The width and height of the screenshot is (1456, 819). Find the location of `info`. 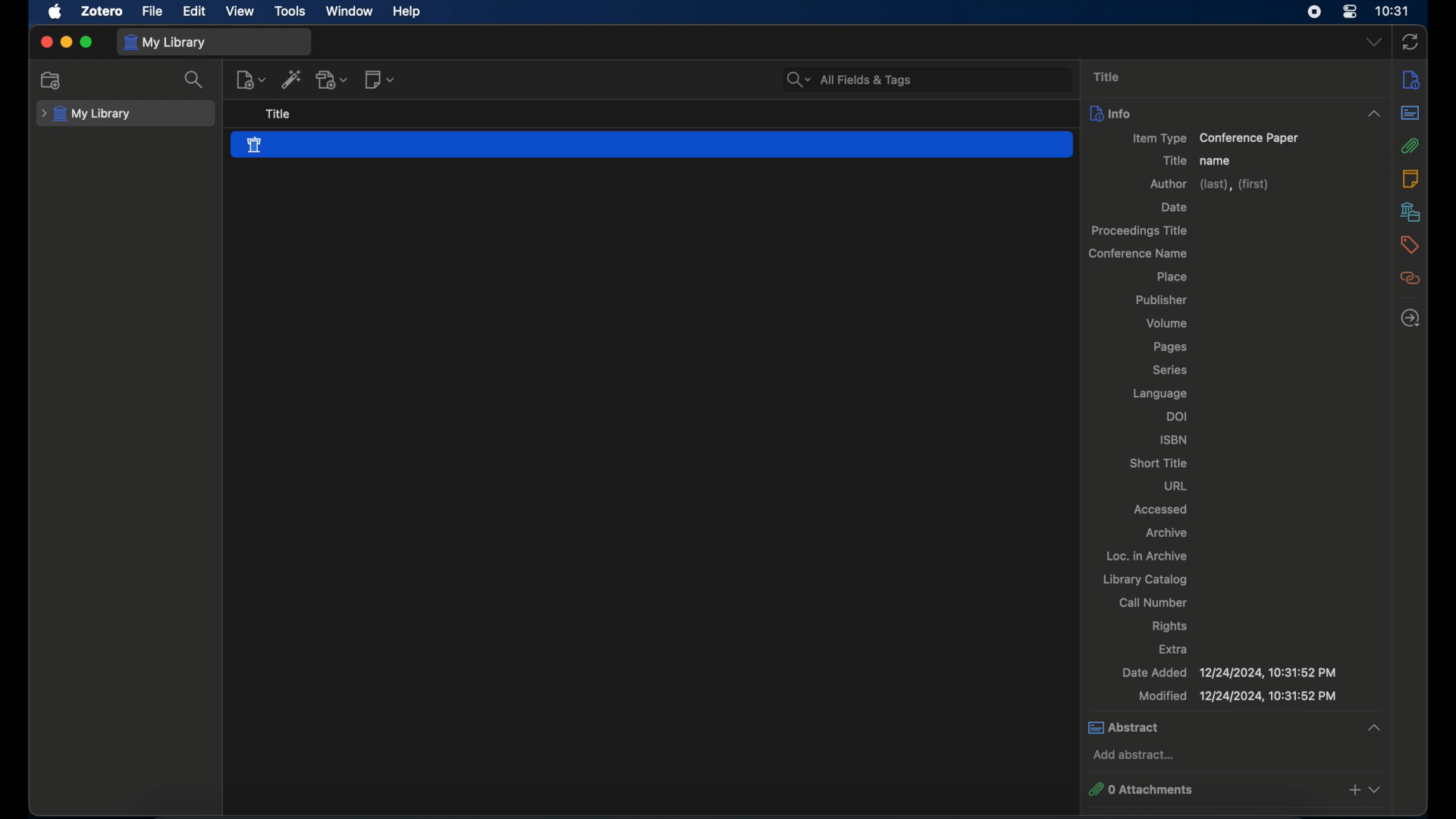

info is located at coordinates (1110, 113).